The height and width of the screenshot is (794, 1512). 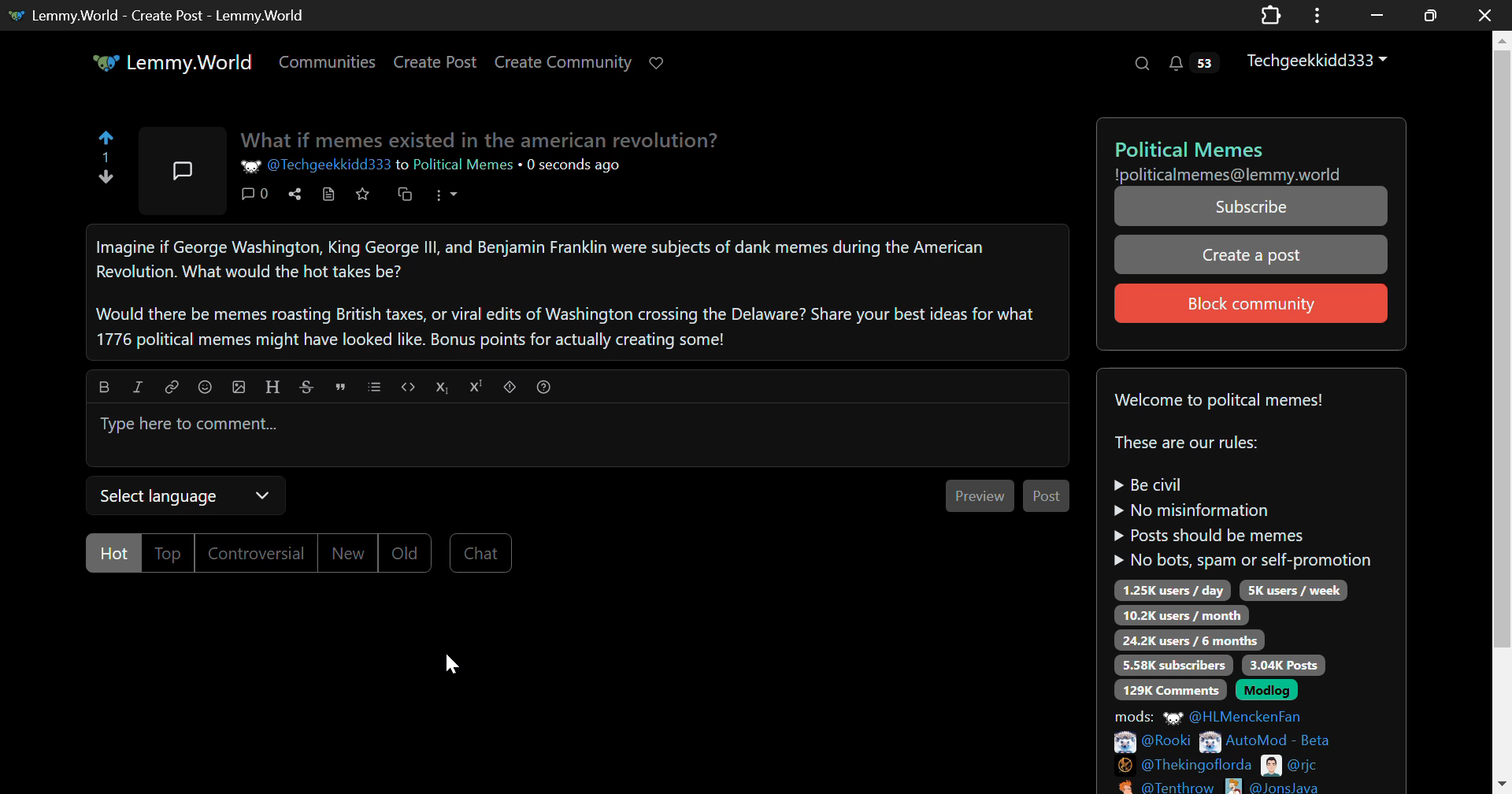 What do you see at coordinates (480, 552) in the screenshot?
I see `Chat` at bounding box center [480, 552].